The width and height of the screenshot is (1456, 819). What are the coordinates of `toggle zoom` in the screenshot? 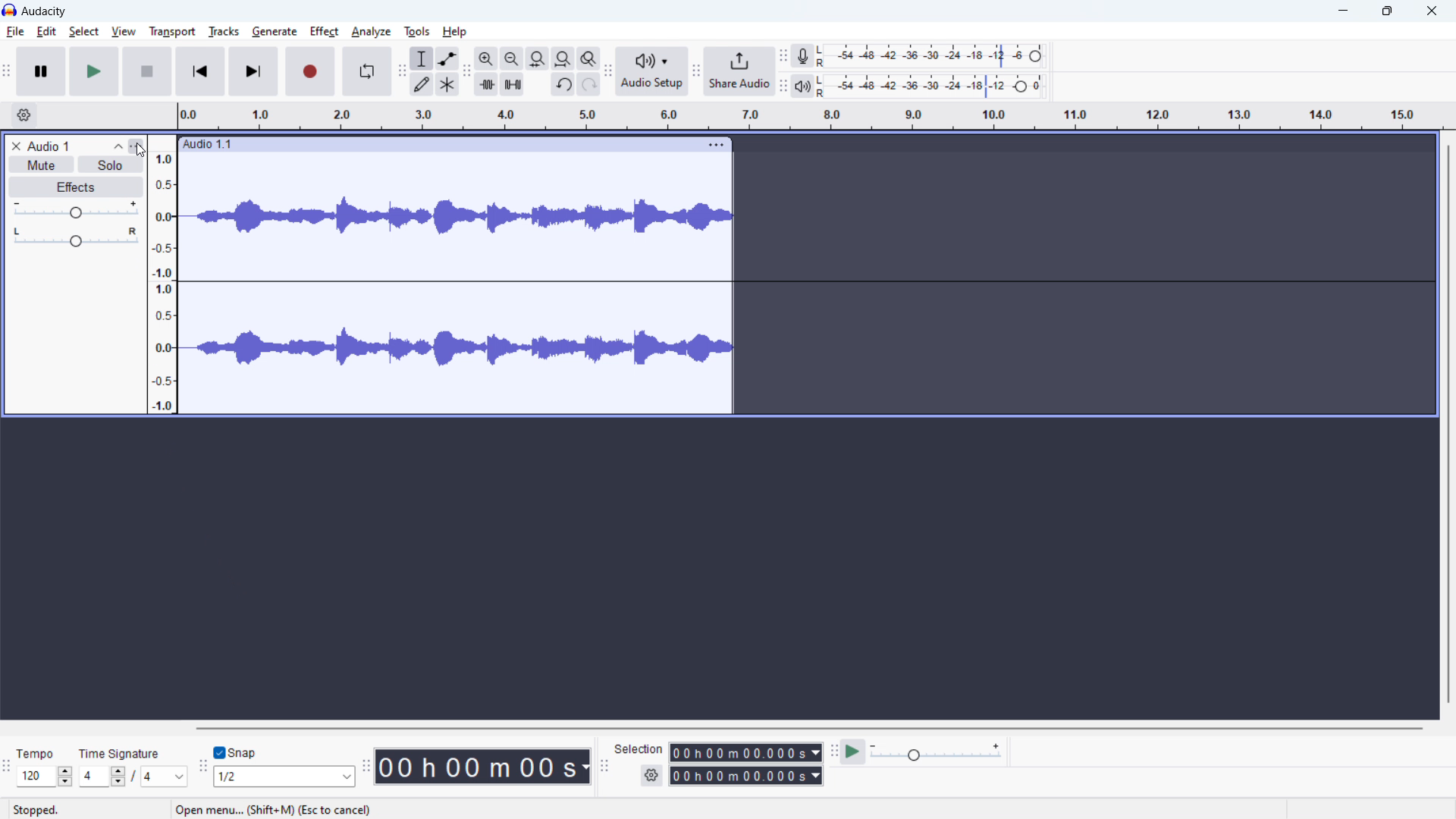 It's located at (588, 58).